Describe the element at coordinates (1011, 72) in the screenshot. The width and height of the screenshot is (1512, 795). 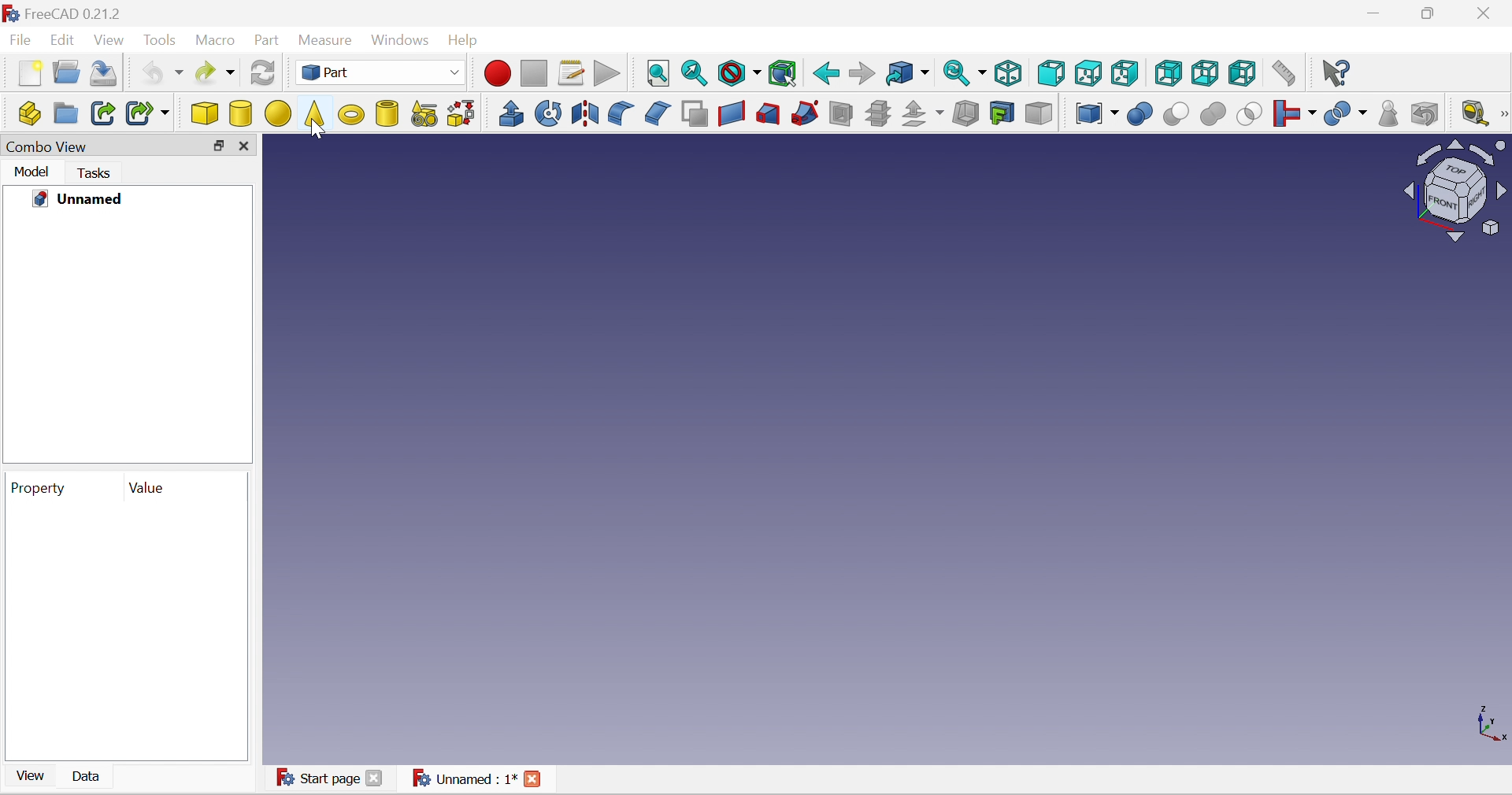
I see `Isometric` at that location.